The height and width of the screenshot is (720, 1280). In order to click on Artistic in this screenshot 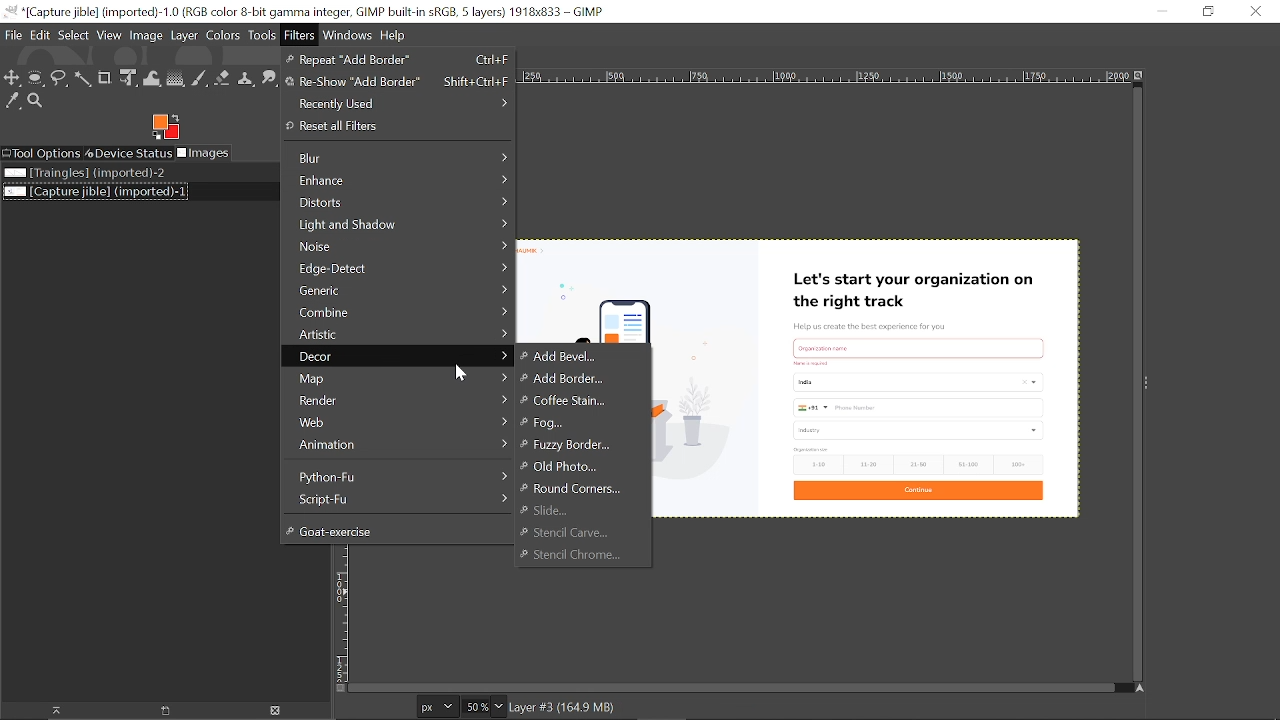, I will do `click(397, 334)`.